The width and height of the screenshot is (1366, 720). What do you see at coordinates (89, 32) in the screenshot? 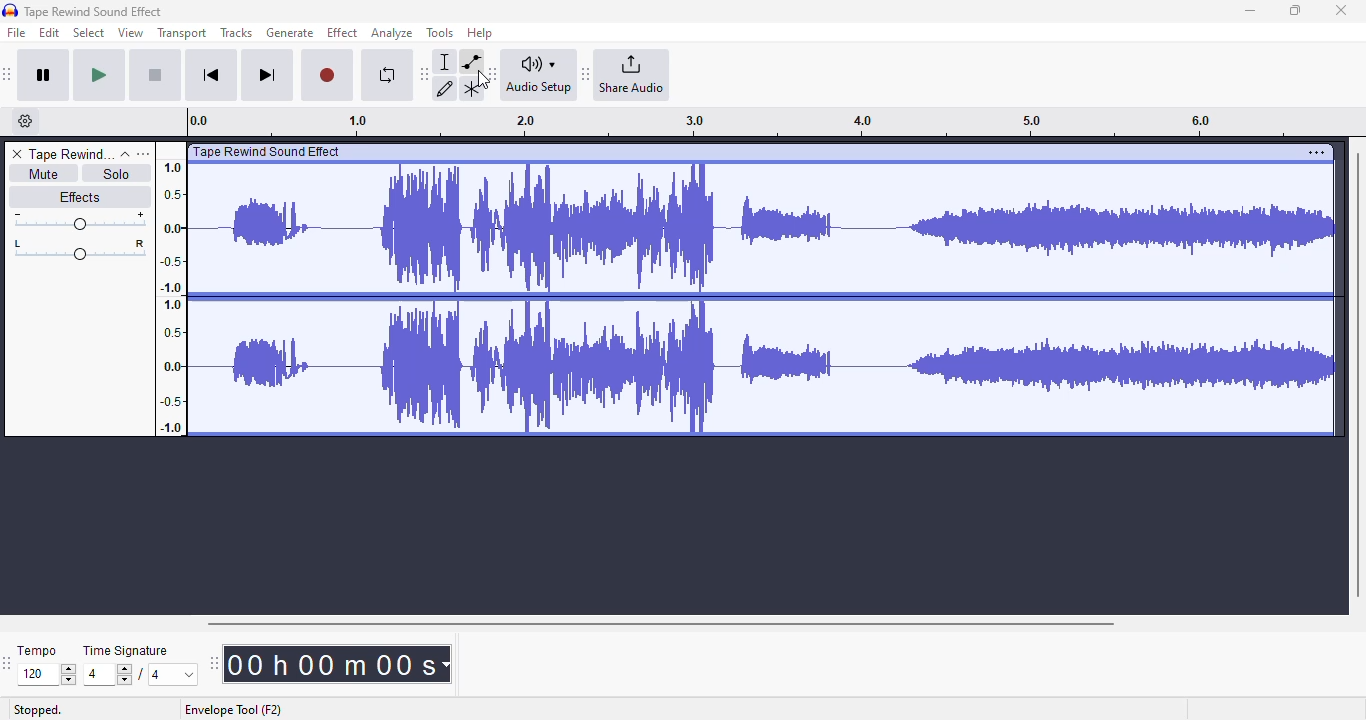
I see `select` at bounding box center [89, 32].